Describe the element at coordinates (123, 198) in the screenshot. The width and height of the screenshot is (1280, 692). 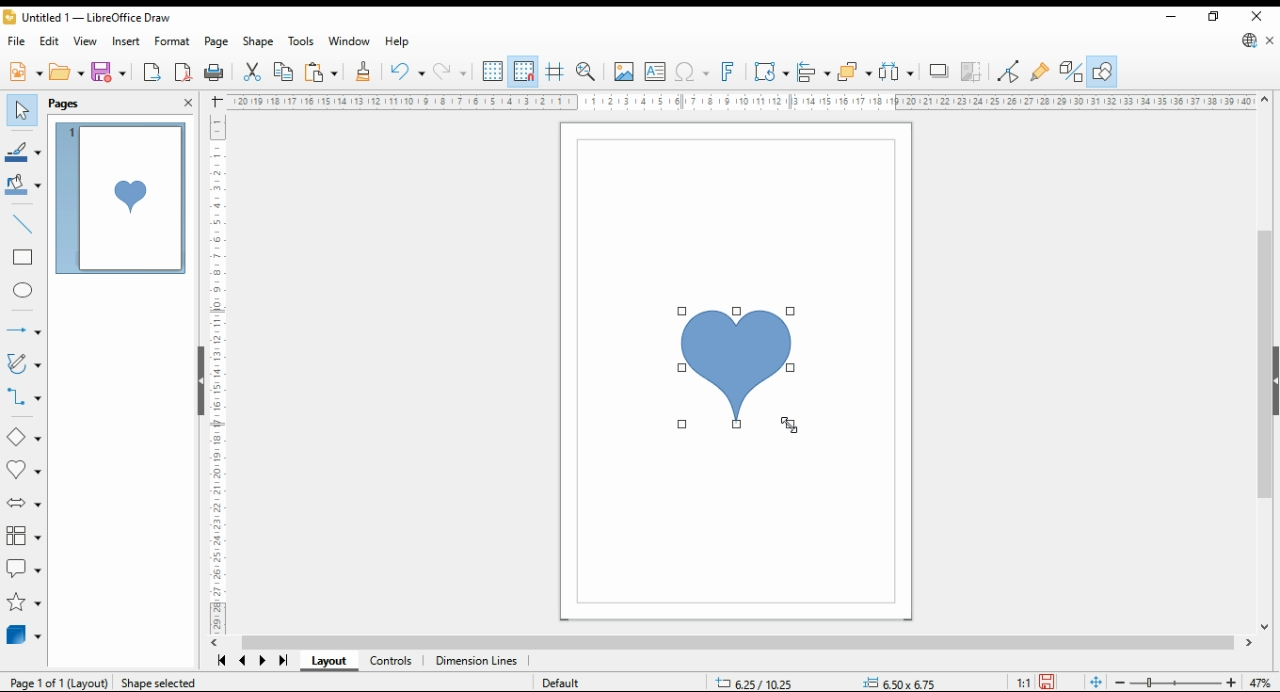
I see `page 1` at that location.